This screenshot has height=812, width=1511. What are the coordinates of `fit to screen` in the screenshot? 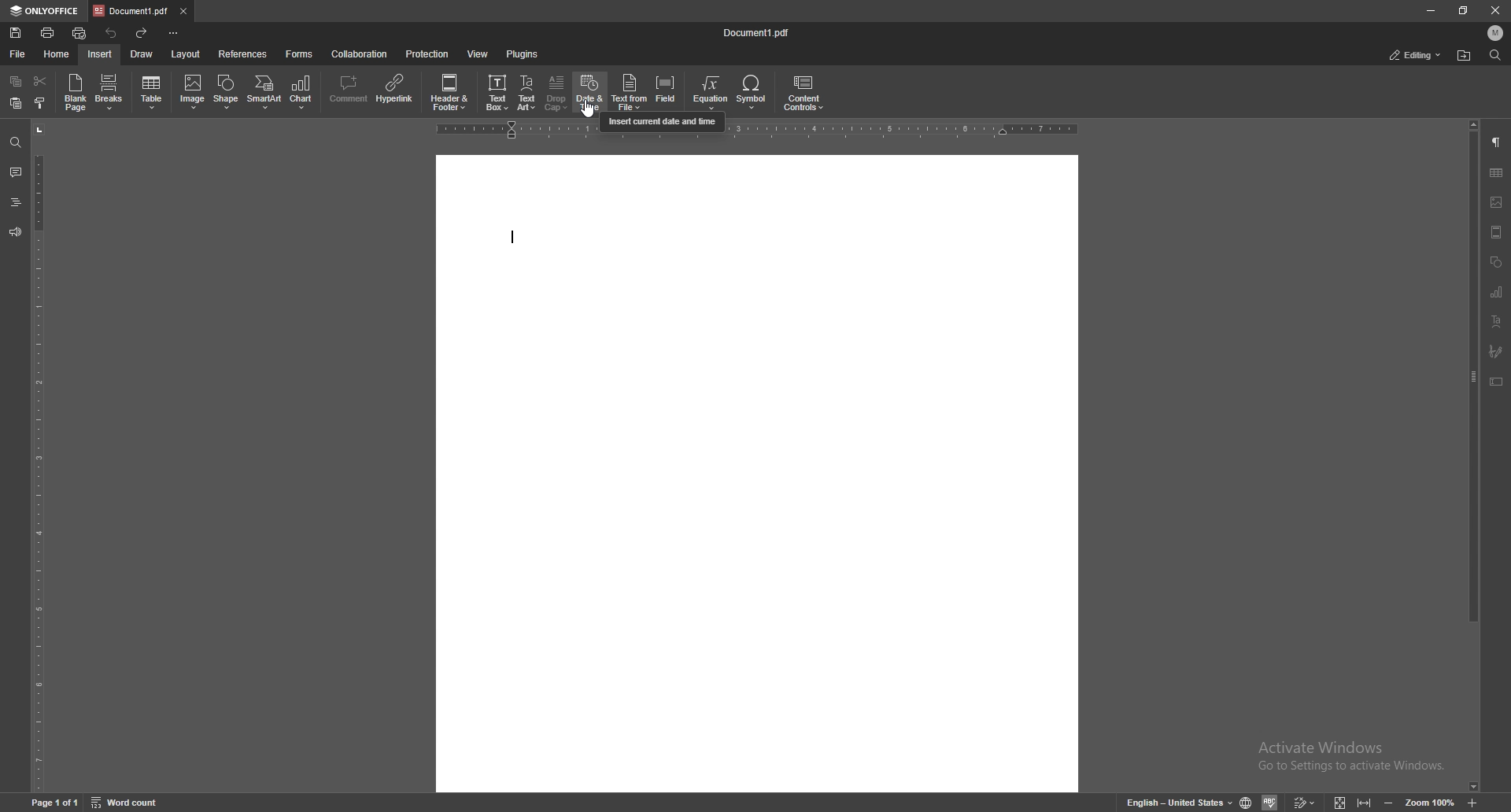 It's located at (1341, 801).